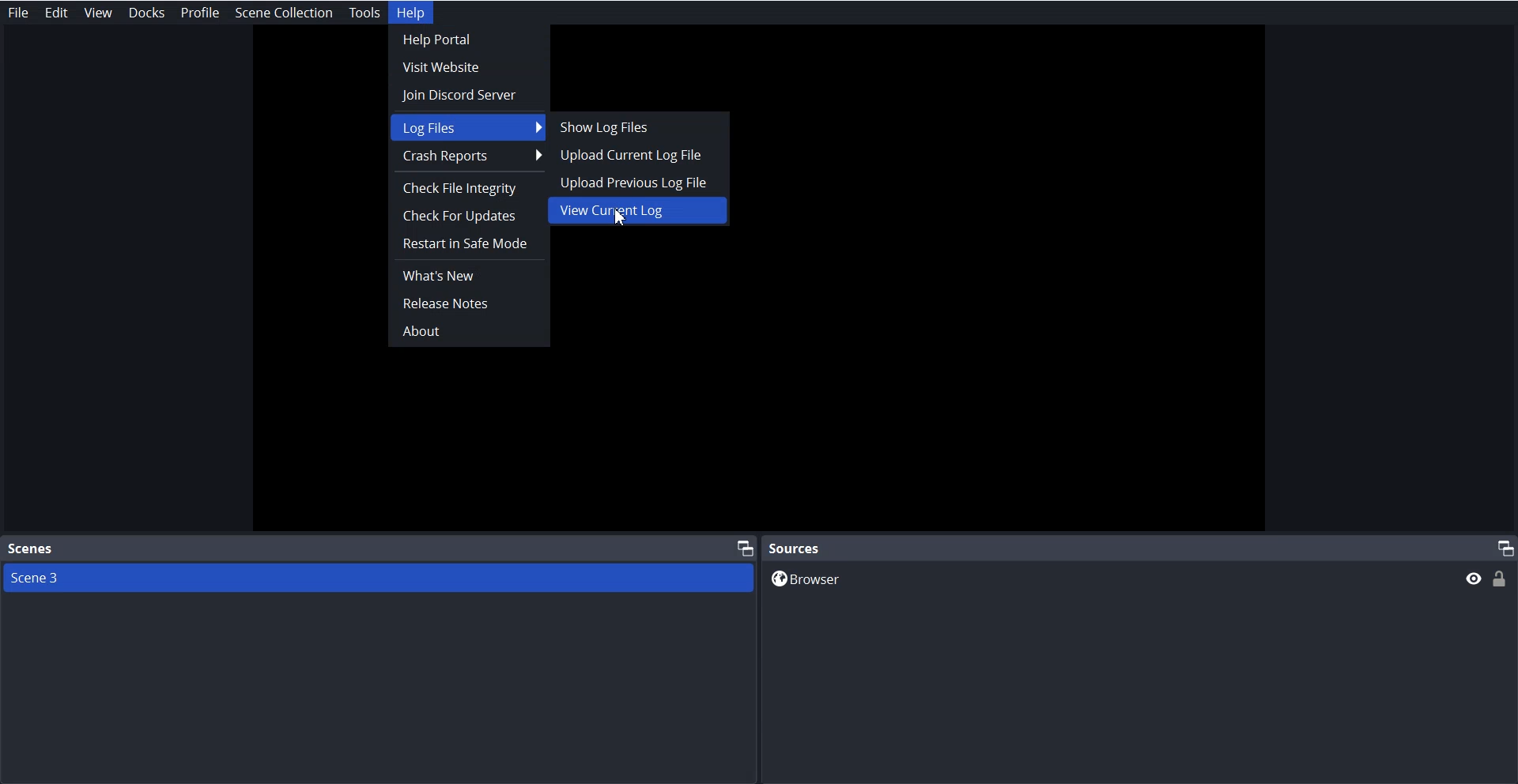  What do you see at coordinates (1471, 578) in the screenshot?
I see `Preview` at bounding box center [1471, 578].